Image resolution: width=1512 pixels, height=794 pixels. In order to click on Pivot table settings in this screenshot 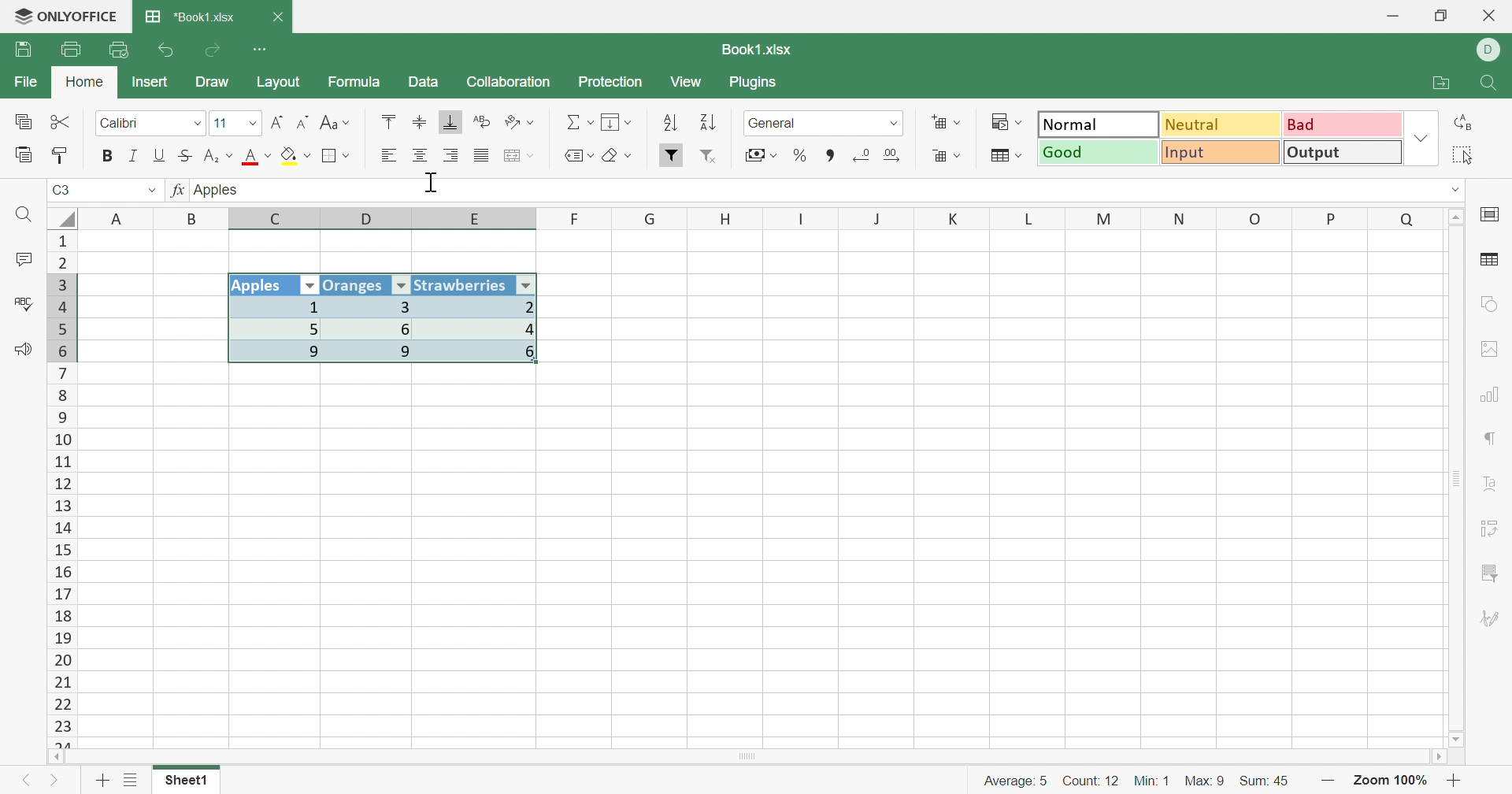, I will do `click(1496, 525)`.